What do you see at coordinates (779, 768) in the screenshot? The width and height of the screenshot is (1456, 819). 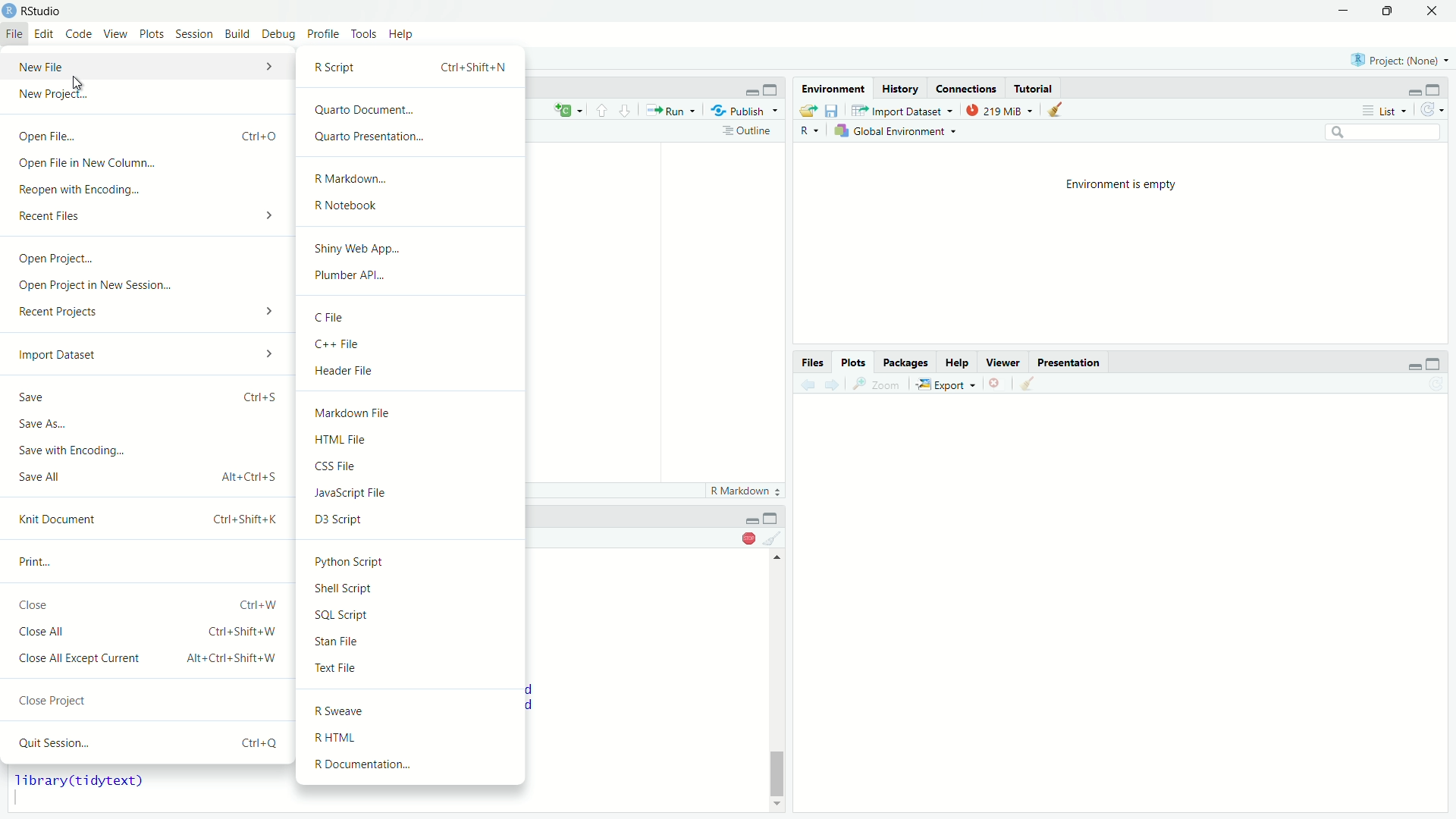 I see `vertical slider` at bounding box center [779, 768].